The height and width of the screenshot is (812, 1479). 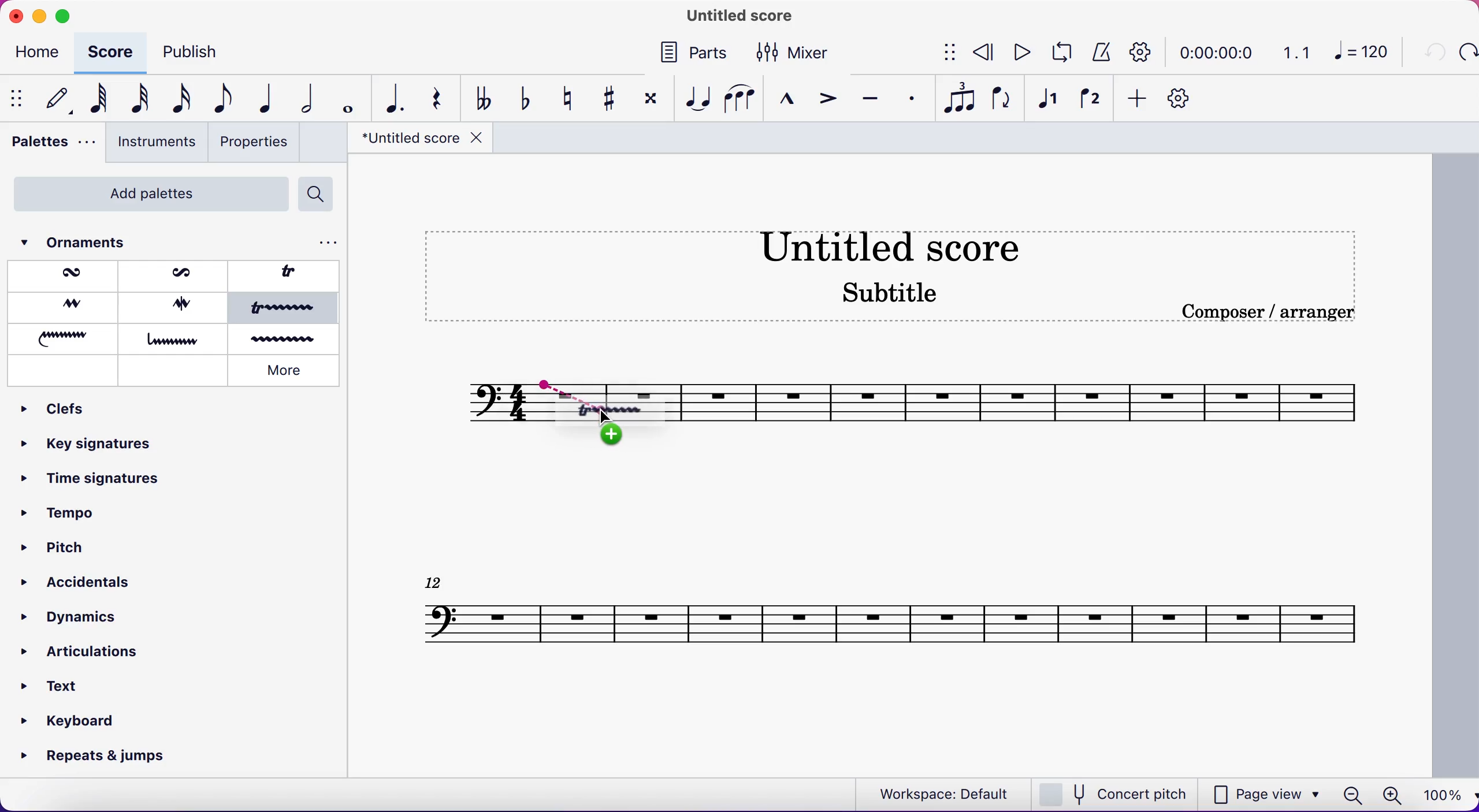 What do you see at coordinates (891, 613) in the screenshot?
I see `Score` at bounding box center [891, 613].